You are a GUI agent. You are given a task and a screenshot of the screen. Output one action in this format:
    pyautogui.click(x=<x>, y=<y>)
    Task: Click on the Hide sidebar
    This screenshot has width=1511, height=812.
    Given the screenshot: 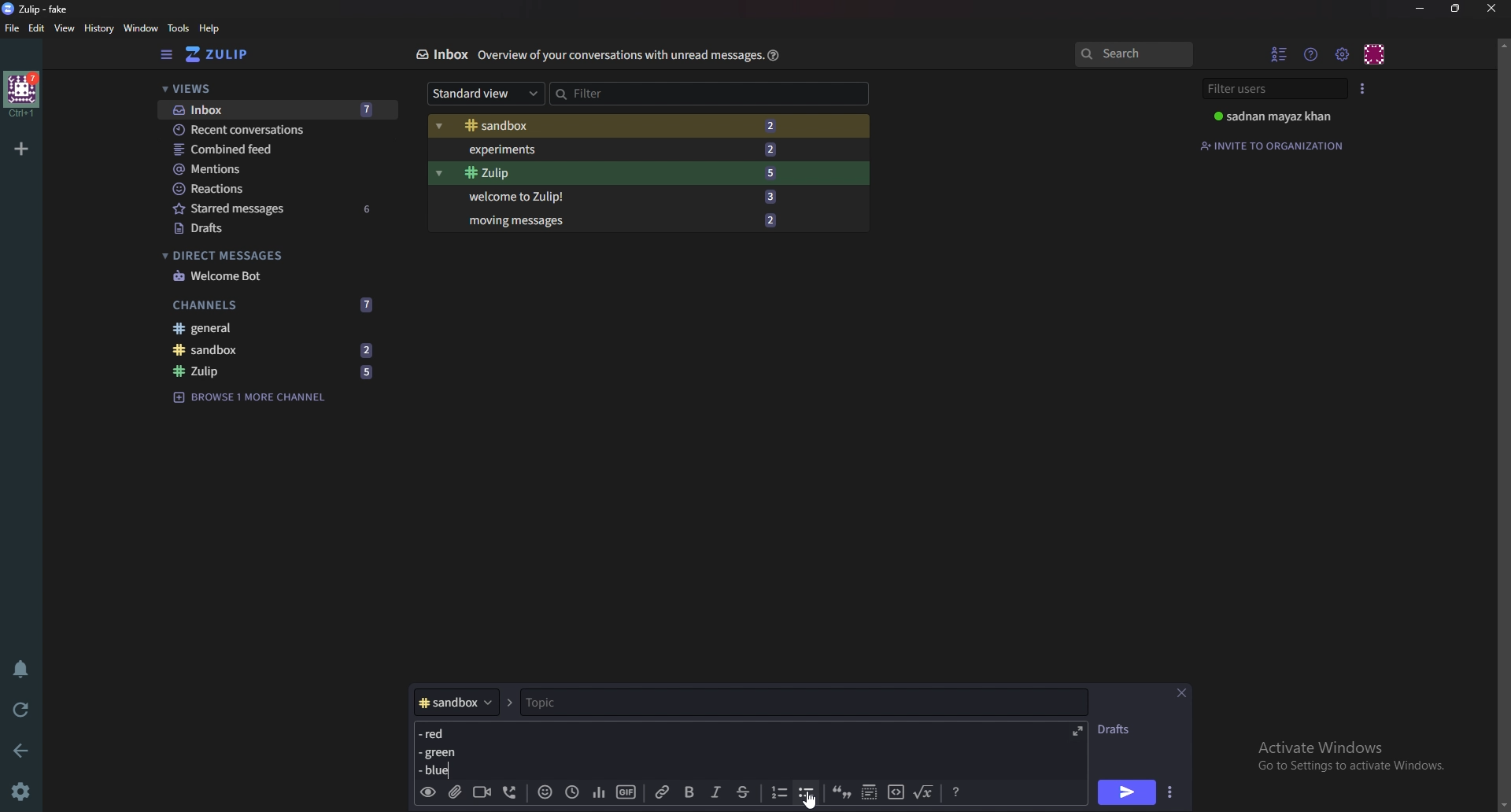 What is the action you would take?
    pyautogui.click(x=168, y=54)
    